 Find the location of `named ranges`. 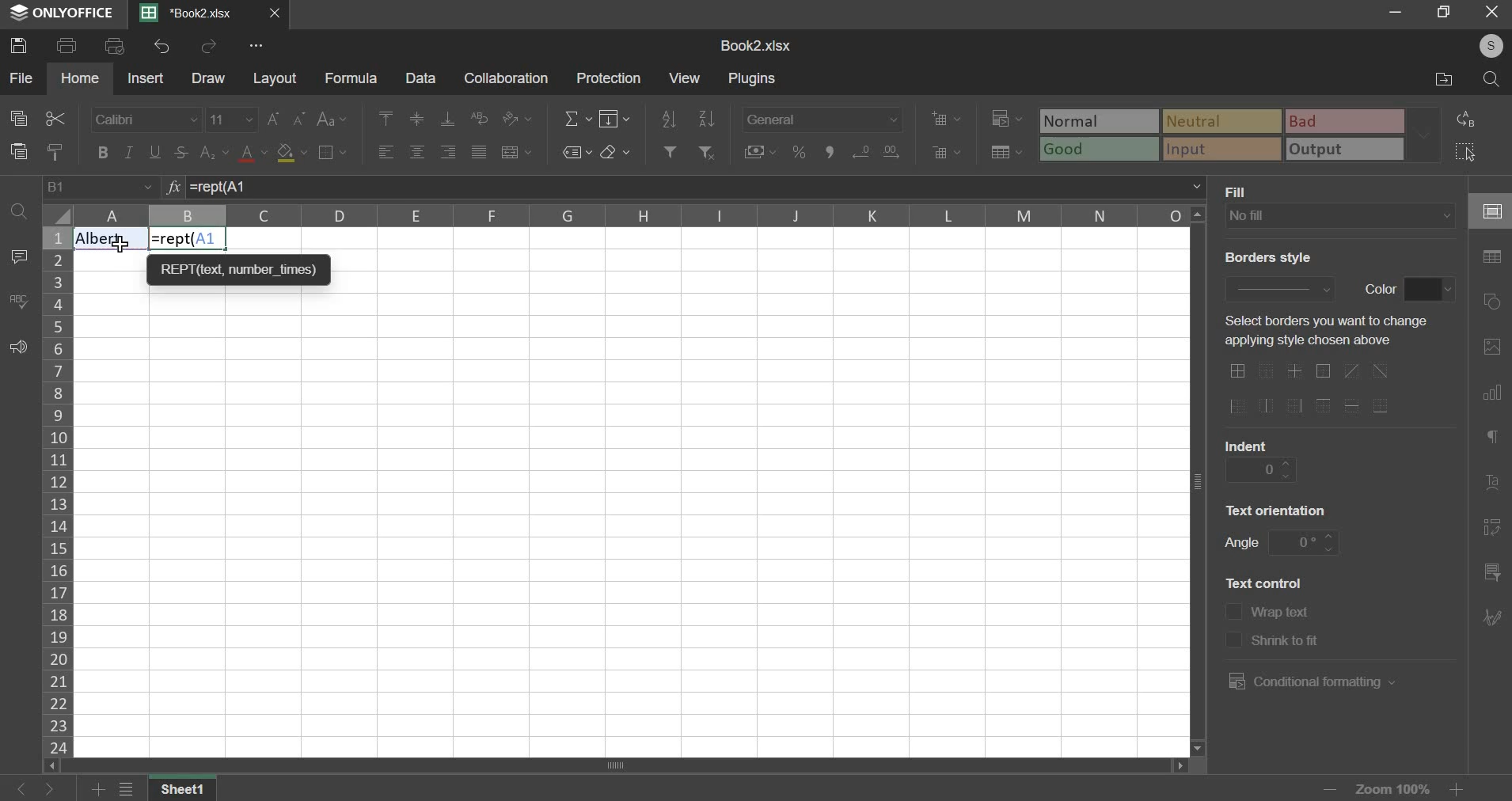

named ranges is located at coordinates (576, 152).